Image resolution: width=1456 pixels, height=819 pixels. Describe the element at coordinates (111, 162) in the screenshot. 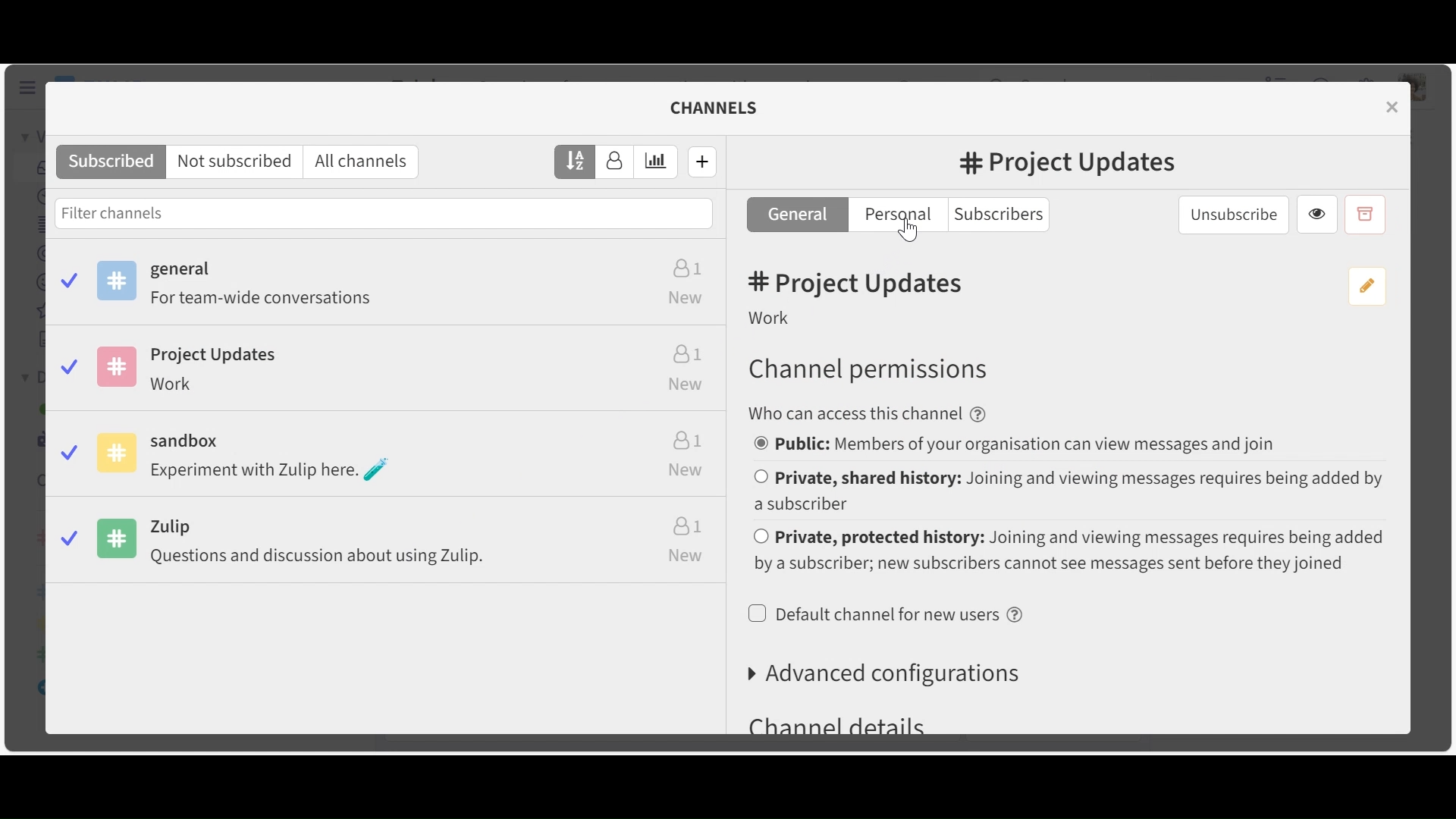

I see `Subscribed channels` at that location.